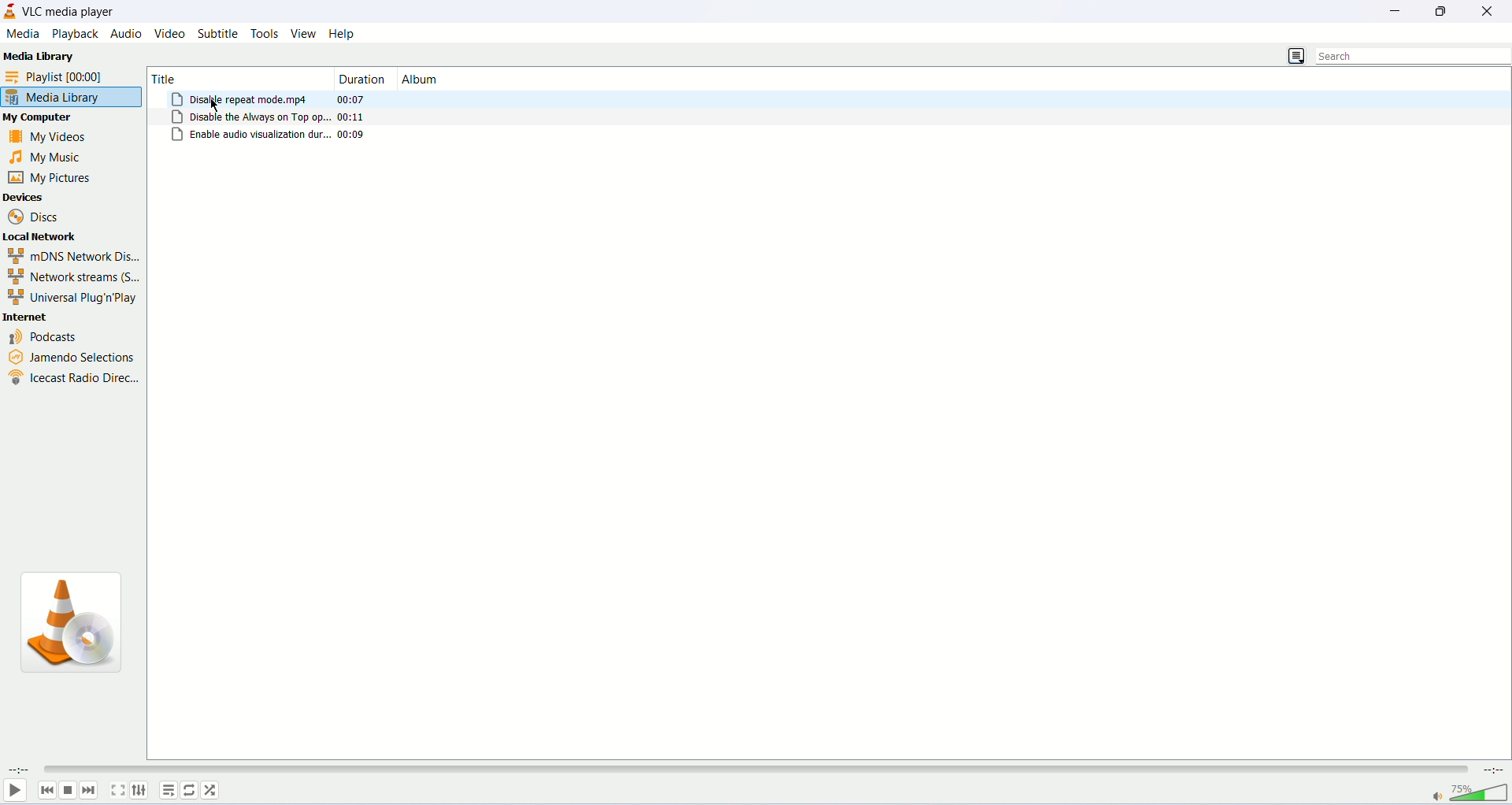  I want to click on elapsed time, so click(19, 769).